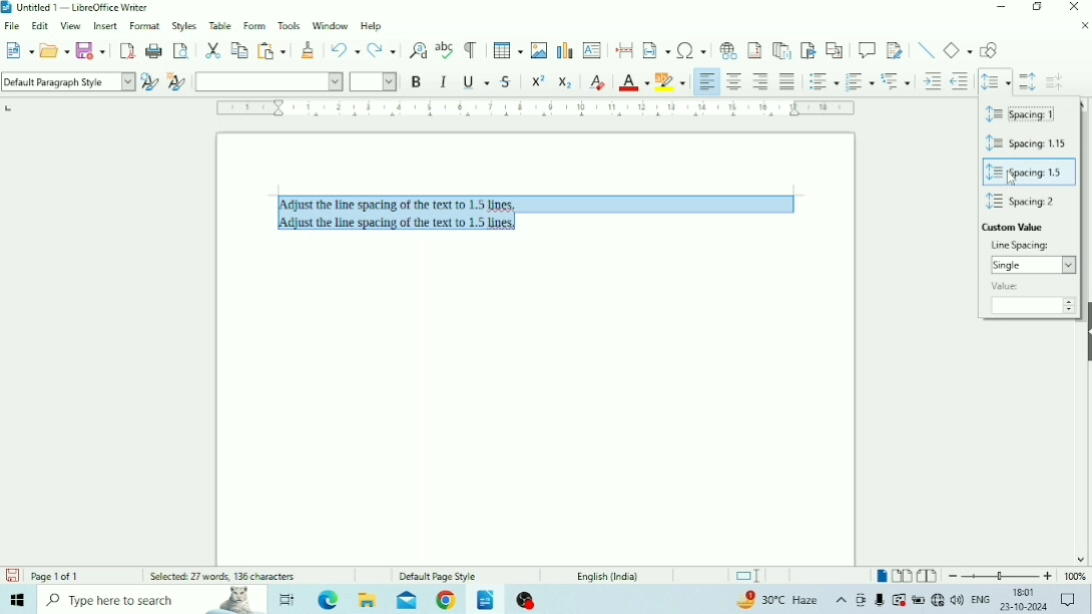  What do you see at coordinates (1027, 82) in the screenshot?
I see `Increase Paragraph Spacing` at bounding box center [1027, 82].